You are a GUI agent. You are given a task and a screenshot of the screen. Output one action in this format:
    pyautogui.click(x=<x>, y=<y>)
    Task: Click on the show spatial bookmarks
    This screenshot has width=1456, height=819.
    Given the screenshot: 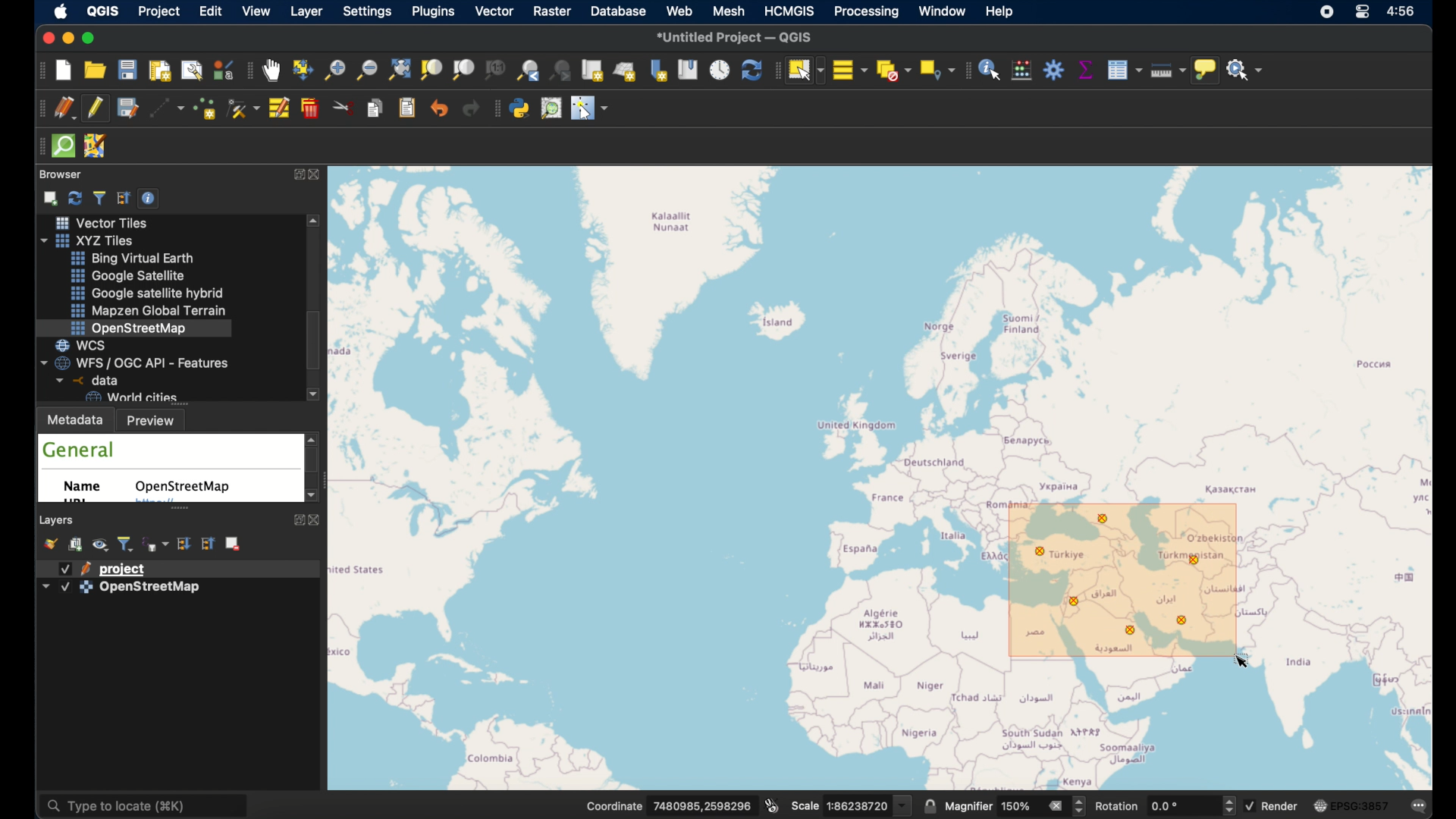 What is the action you would take?
    pyautogui.click(x=689, y=70)
    